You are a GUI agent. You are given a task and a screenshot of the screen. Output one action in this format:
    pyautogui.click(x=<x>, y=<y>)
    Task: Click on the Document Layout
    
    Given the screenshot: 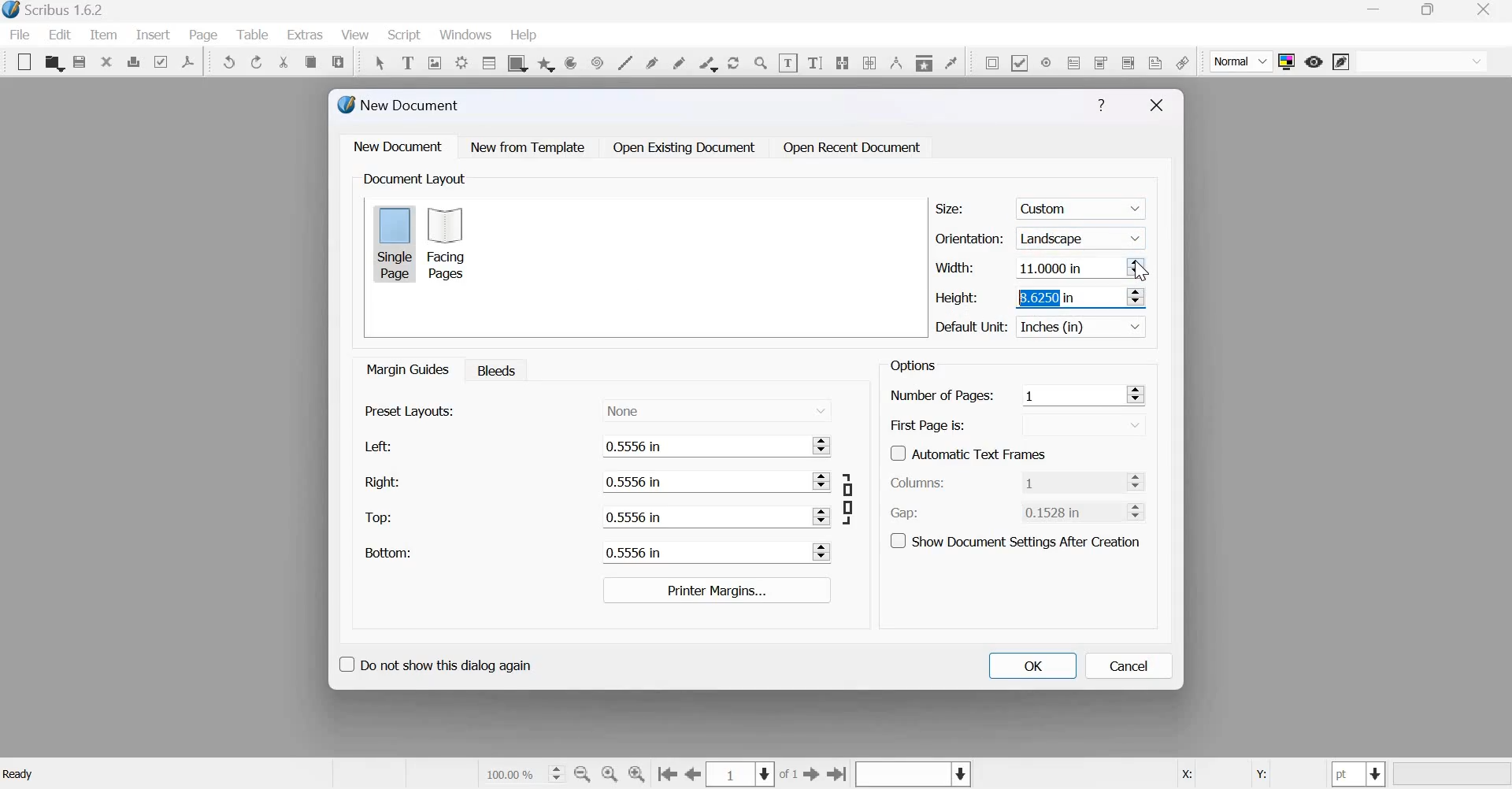 What is the action you would take?
    pyautogui.click(x=413, y=179)
    